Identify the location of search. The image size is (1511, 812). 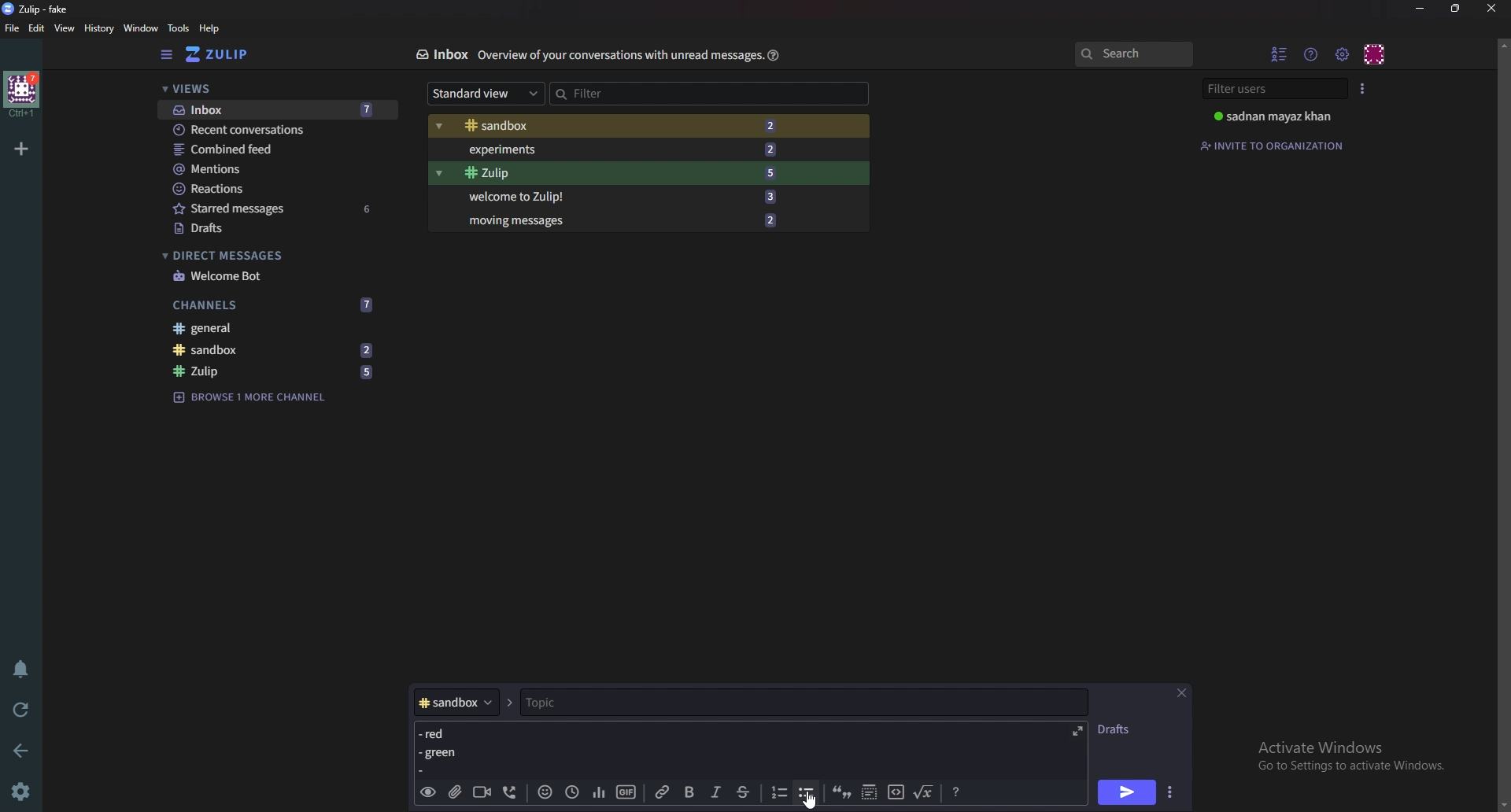
(1132, 54).